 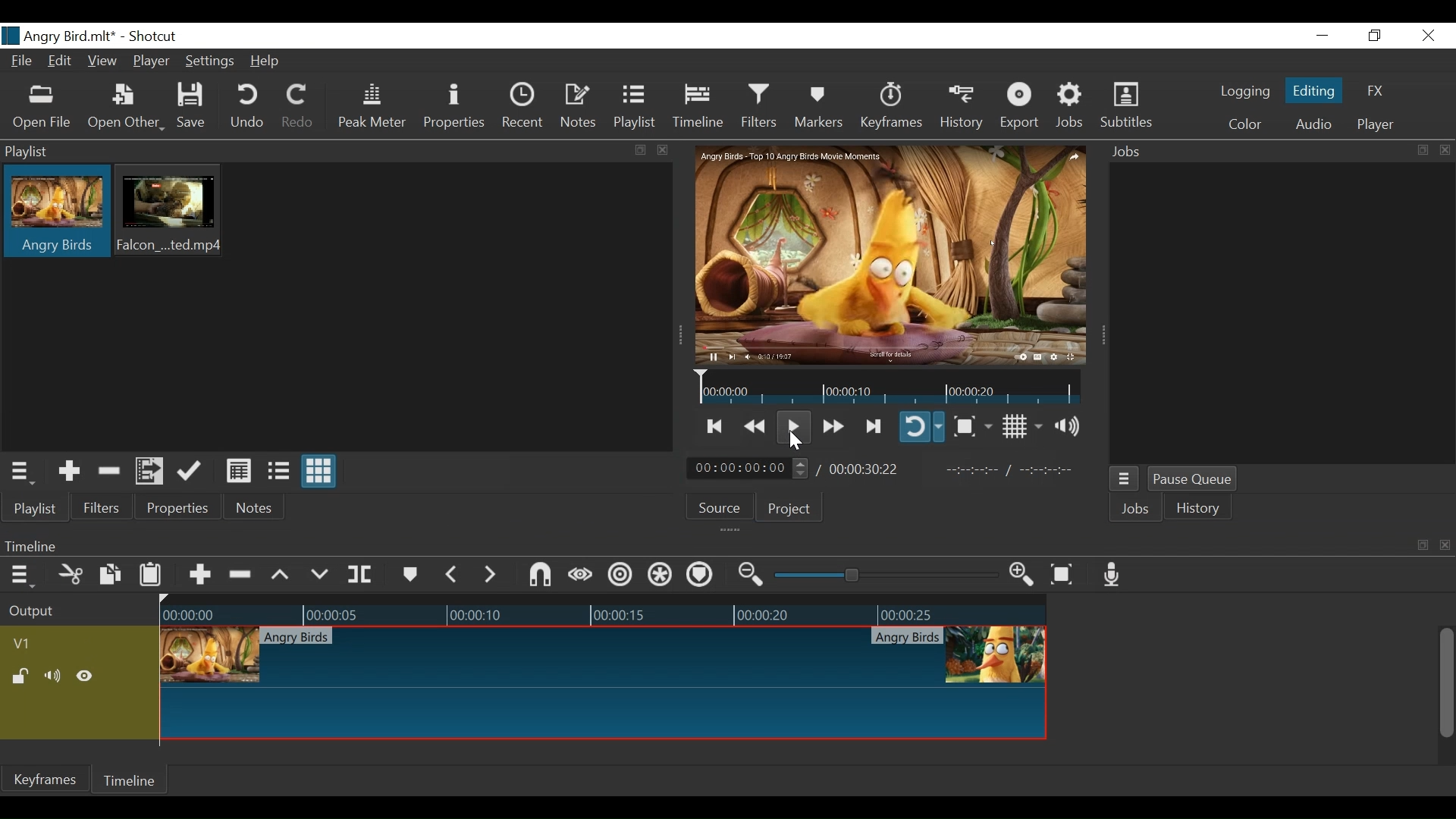 I want to click on Pause Queue, so click(x=1193, y=479).